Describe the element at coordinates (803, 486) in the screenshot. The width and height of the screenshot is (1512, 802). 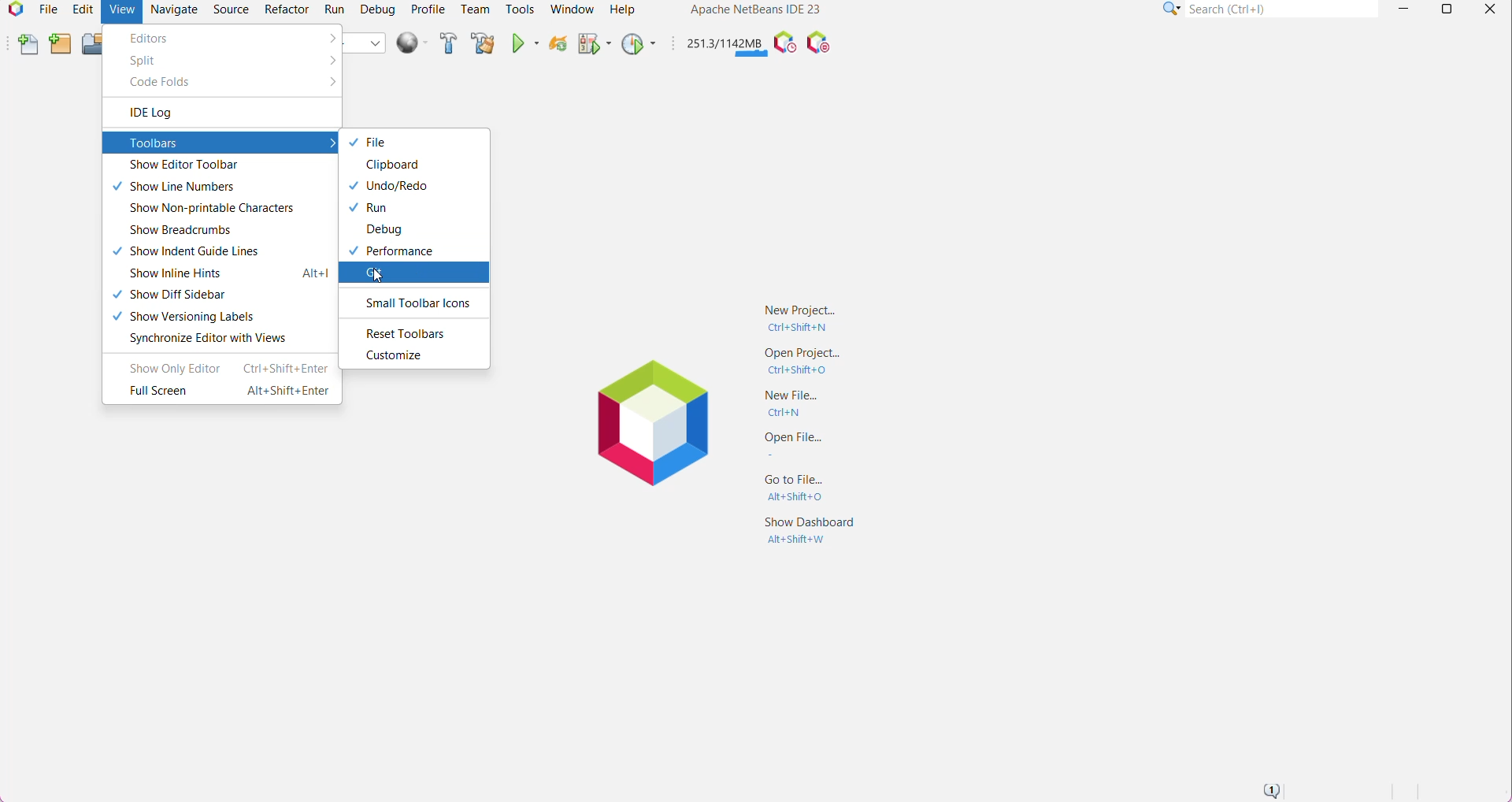
I see `Go to File` at that location.